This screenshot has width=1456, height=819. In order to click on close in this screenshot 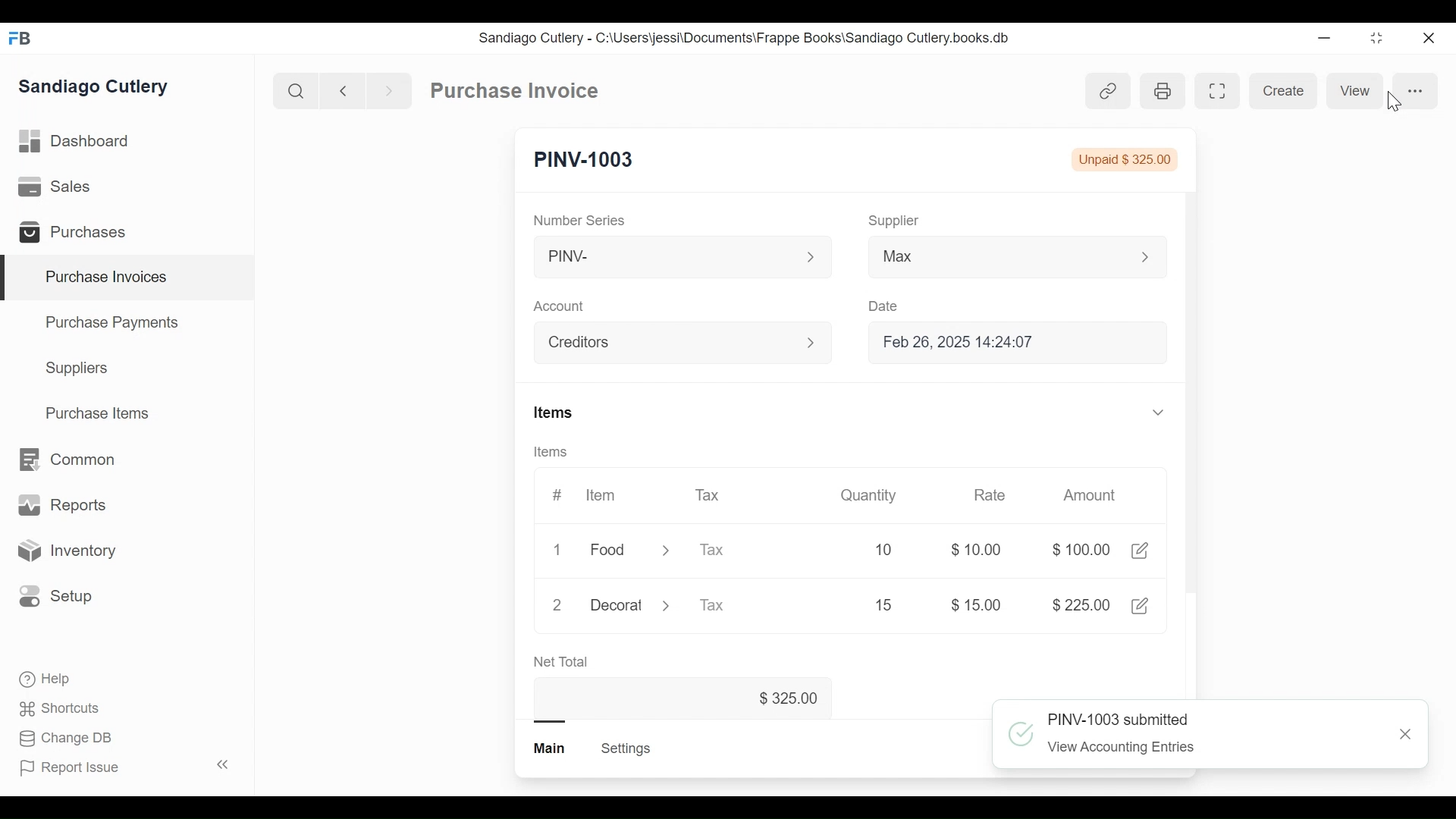, I will do `click(1427, 39)`.